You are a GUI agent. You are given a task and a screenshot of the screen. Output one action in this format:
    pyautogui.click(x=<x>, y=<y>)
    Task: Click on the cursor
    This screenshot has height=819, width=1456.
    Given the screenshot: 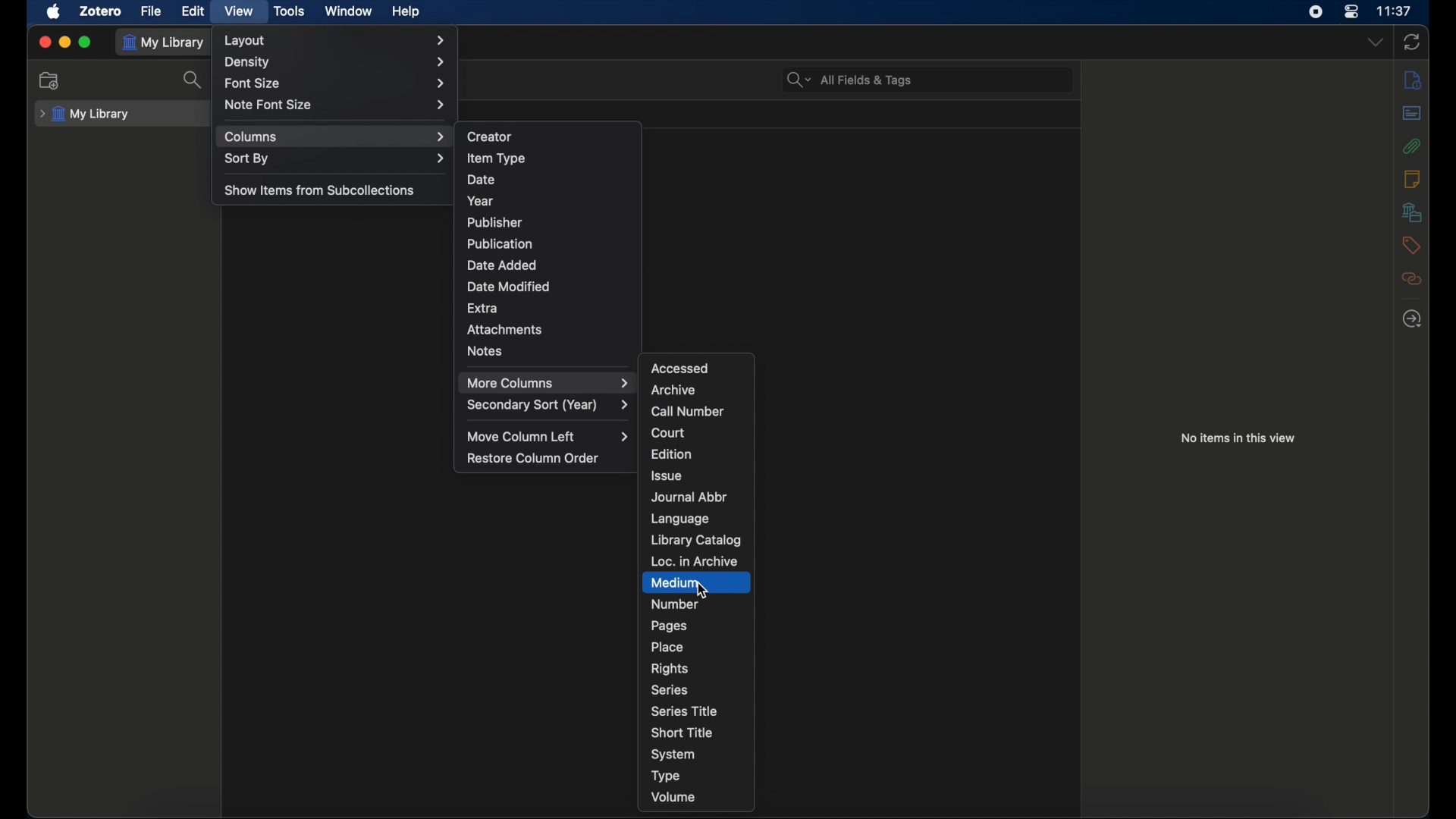 What is the action you would take?
    pyautogui.click(x=705, y=591)
    